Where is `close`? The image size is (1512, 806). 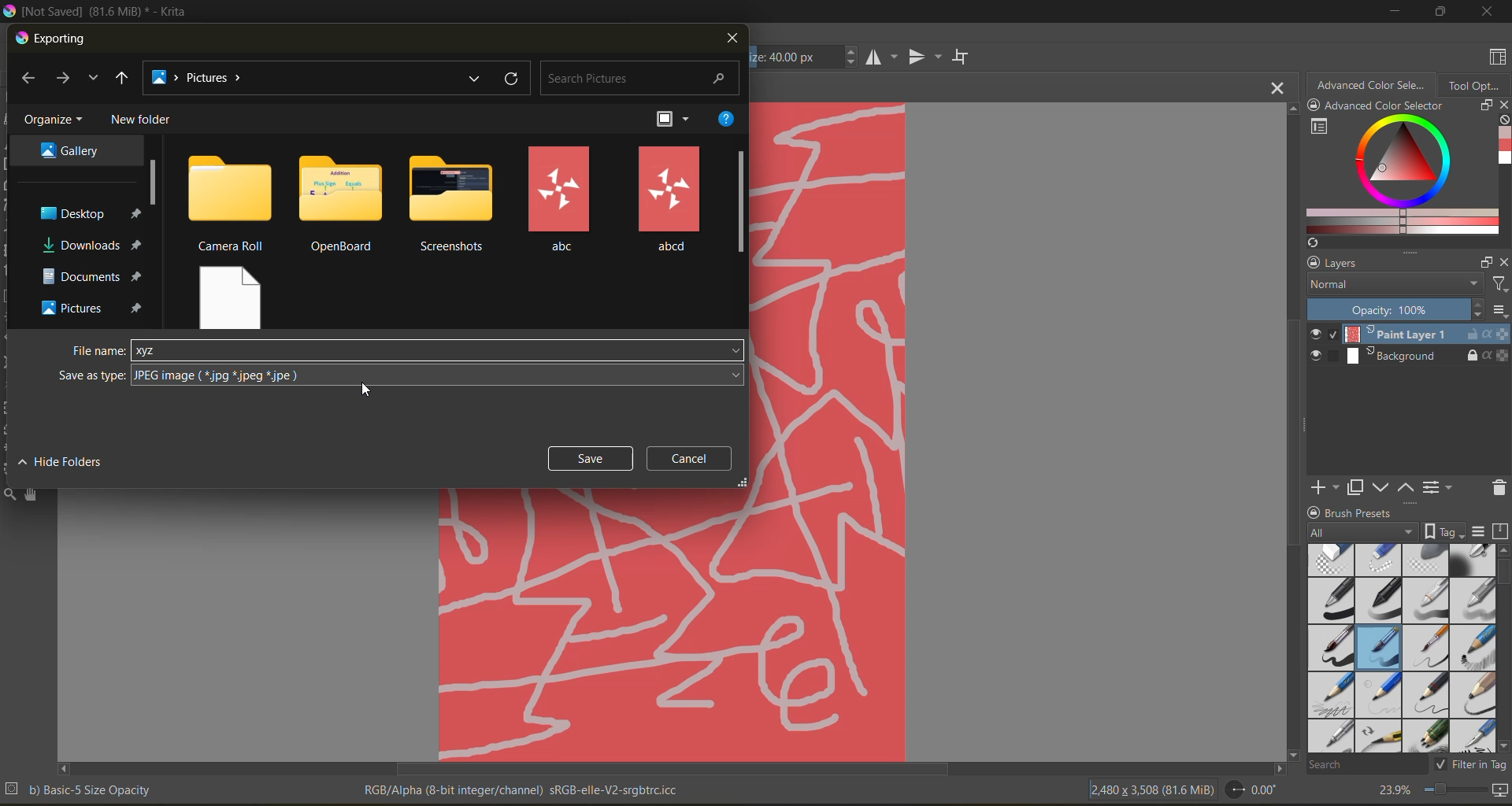 close is located at coordinates (1503, 262).